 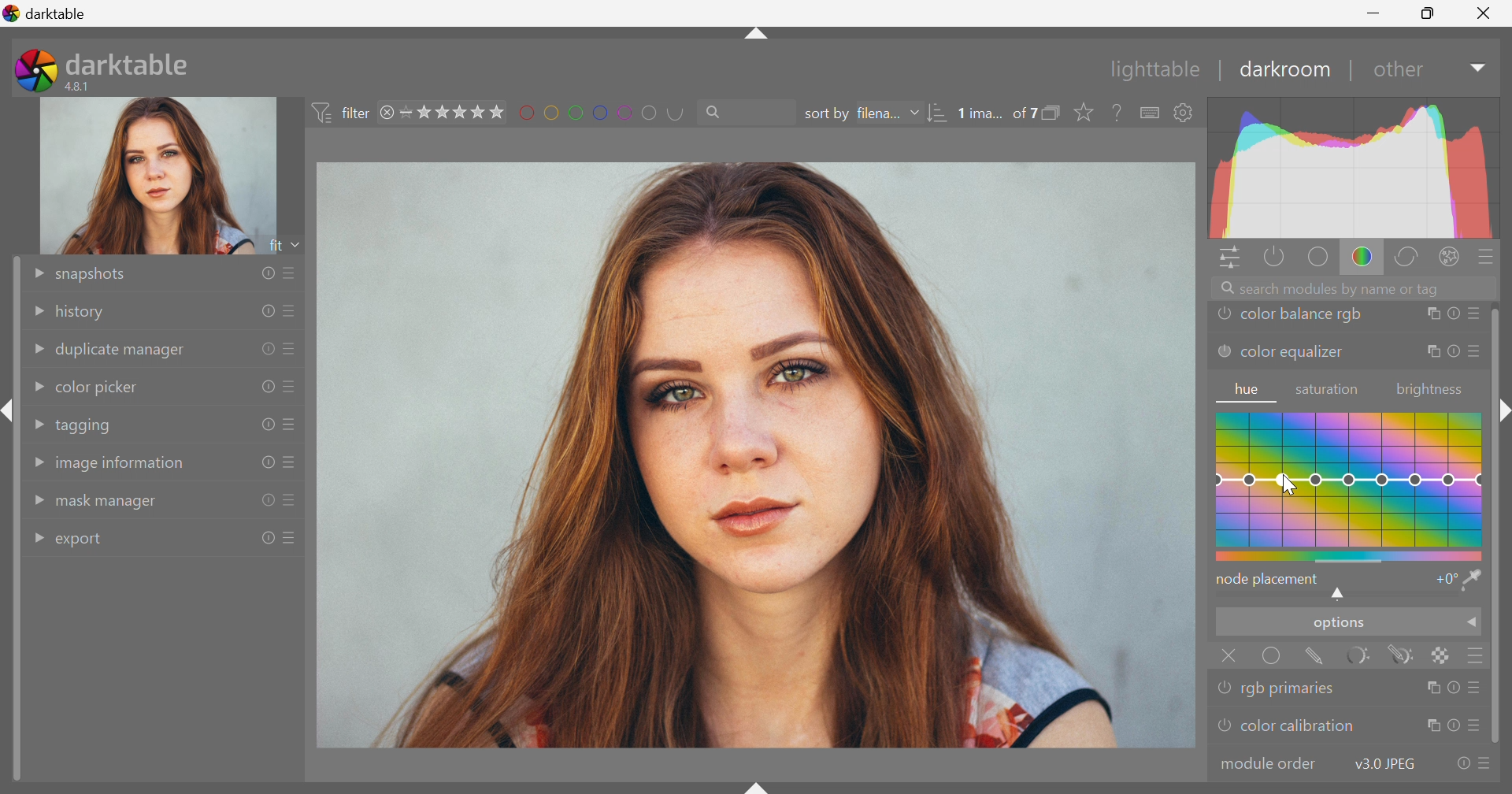 I want to click on 4.8.1, so click(x=84, y=86).